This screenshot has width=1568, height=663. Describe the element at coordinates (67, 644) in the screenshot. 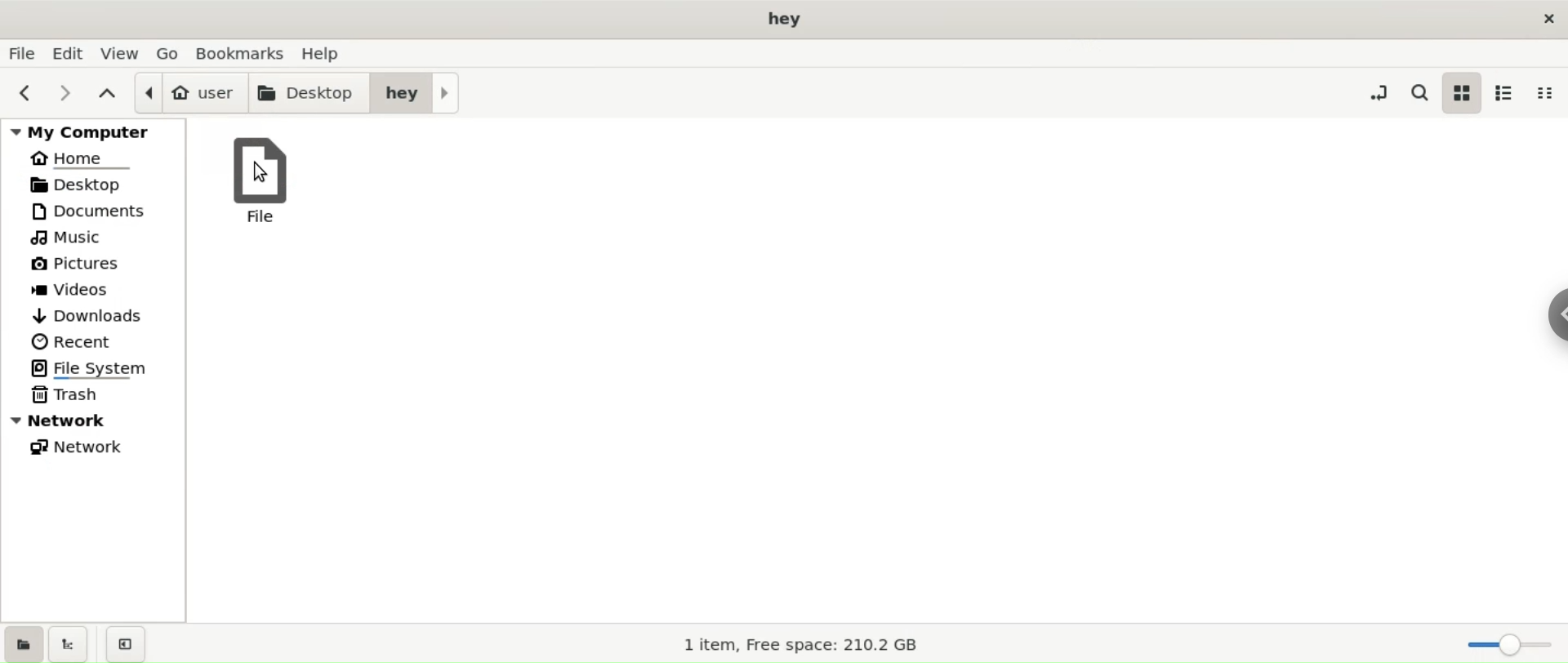

I see `show treeview` at that location.